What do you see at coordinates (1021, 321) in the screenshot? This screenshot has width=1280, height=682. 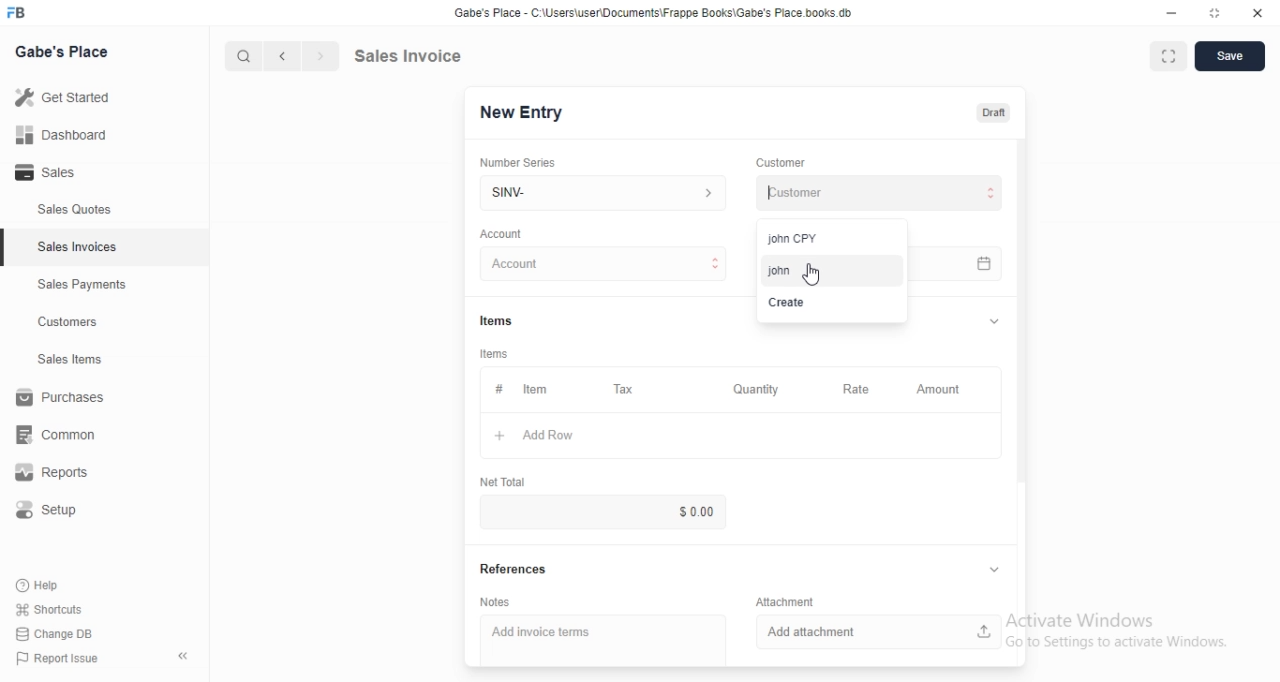 I see `scroll bar` at bounding box center [1021, 321].